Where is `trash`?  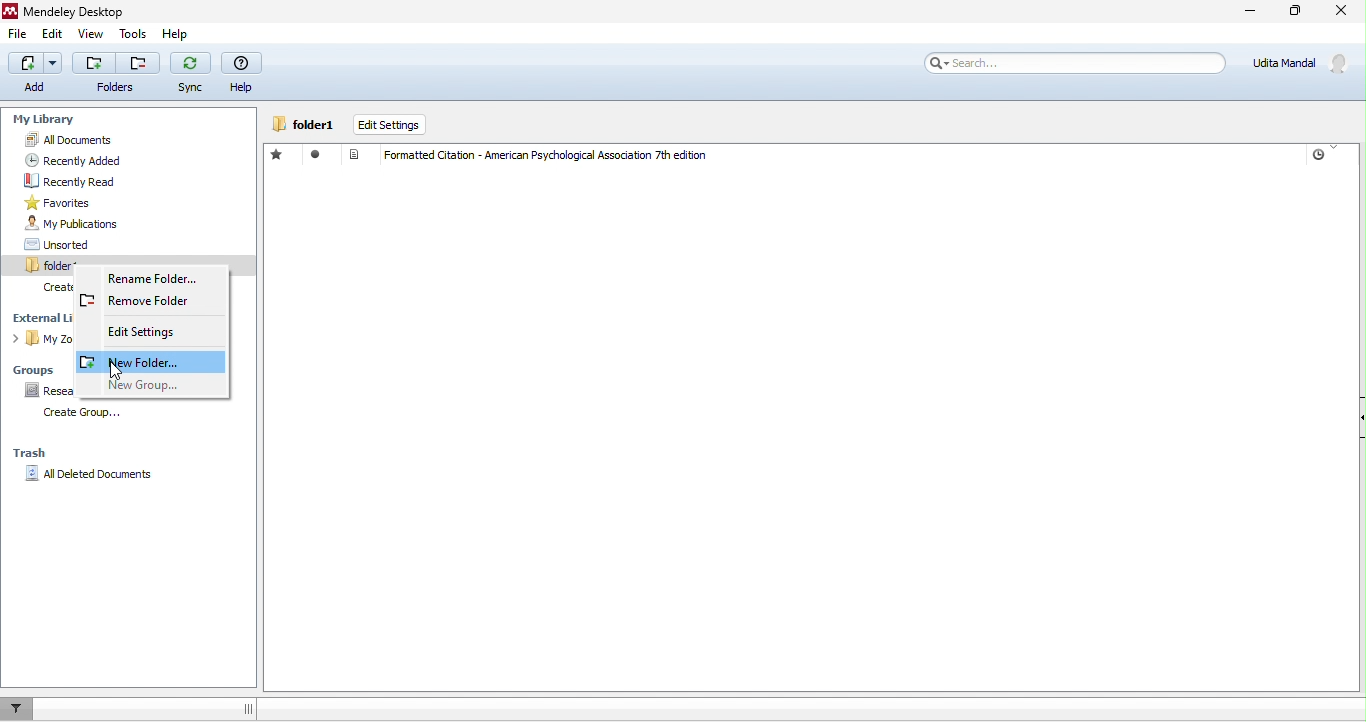
trash is located at coordinates (31, 453).